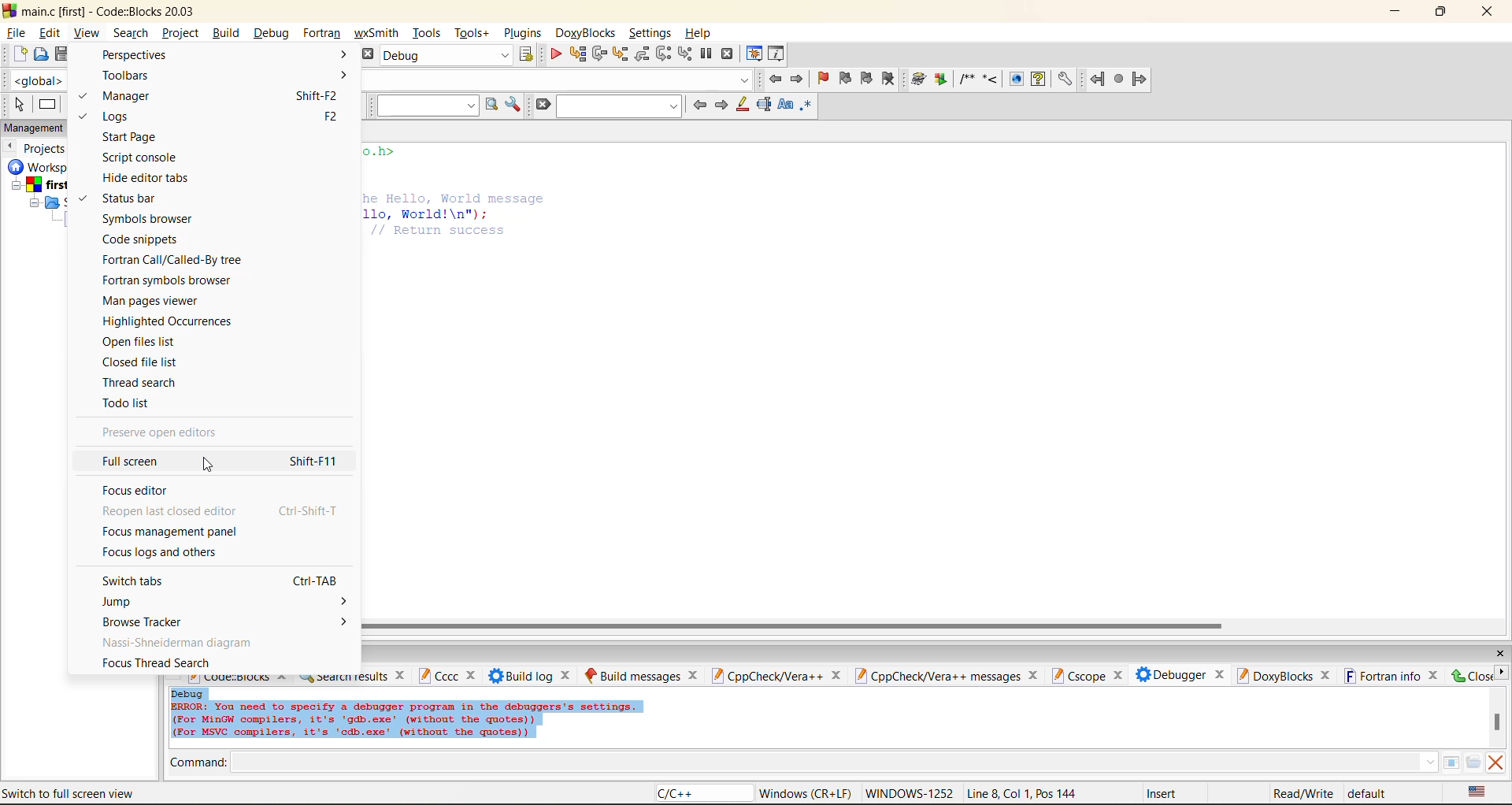  What do you see at coordinates (447, 55) in the screenshot?
I see `Debug` at bounding box center [447, 55].